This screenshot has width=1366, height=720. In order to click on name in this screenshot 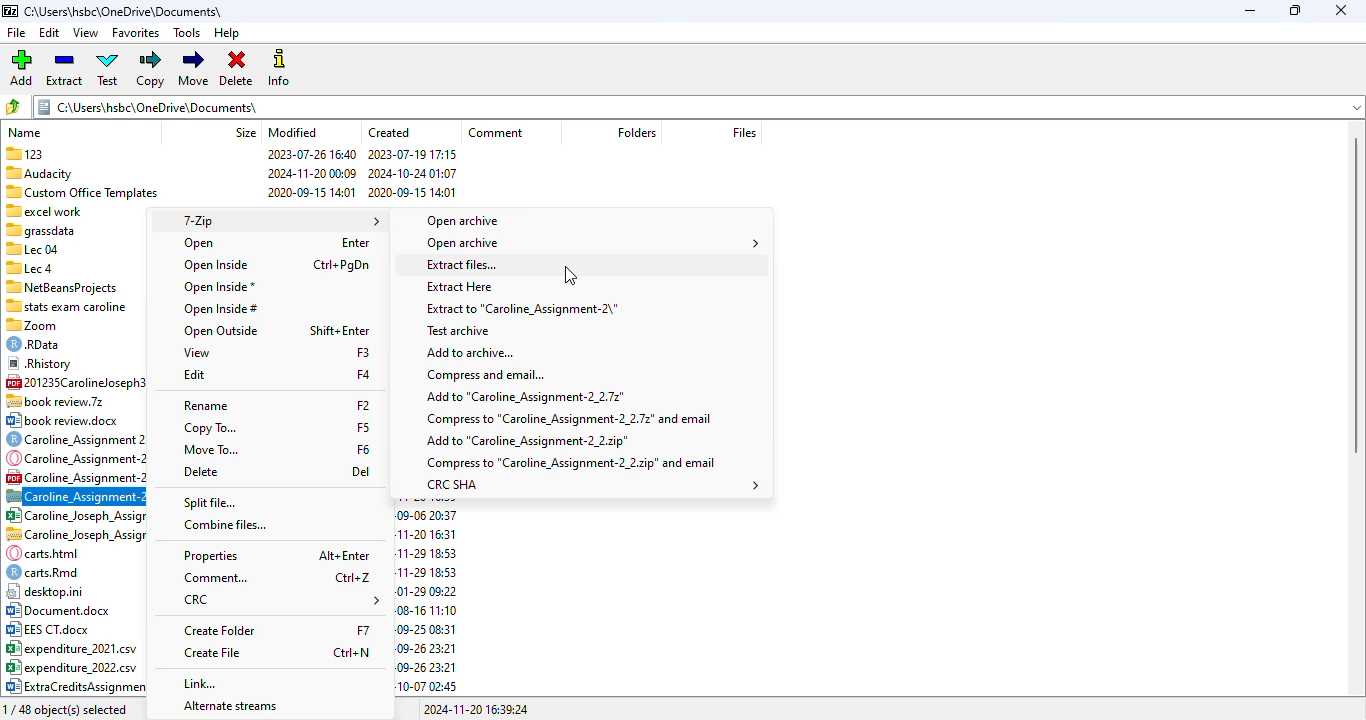, I will do `click(25, 132)`.